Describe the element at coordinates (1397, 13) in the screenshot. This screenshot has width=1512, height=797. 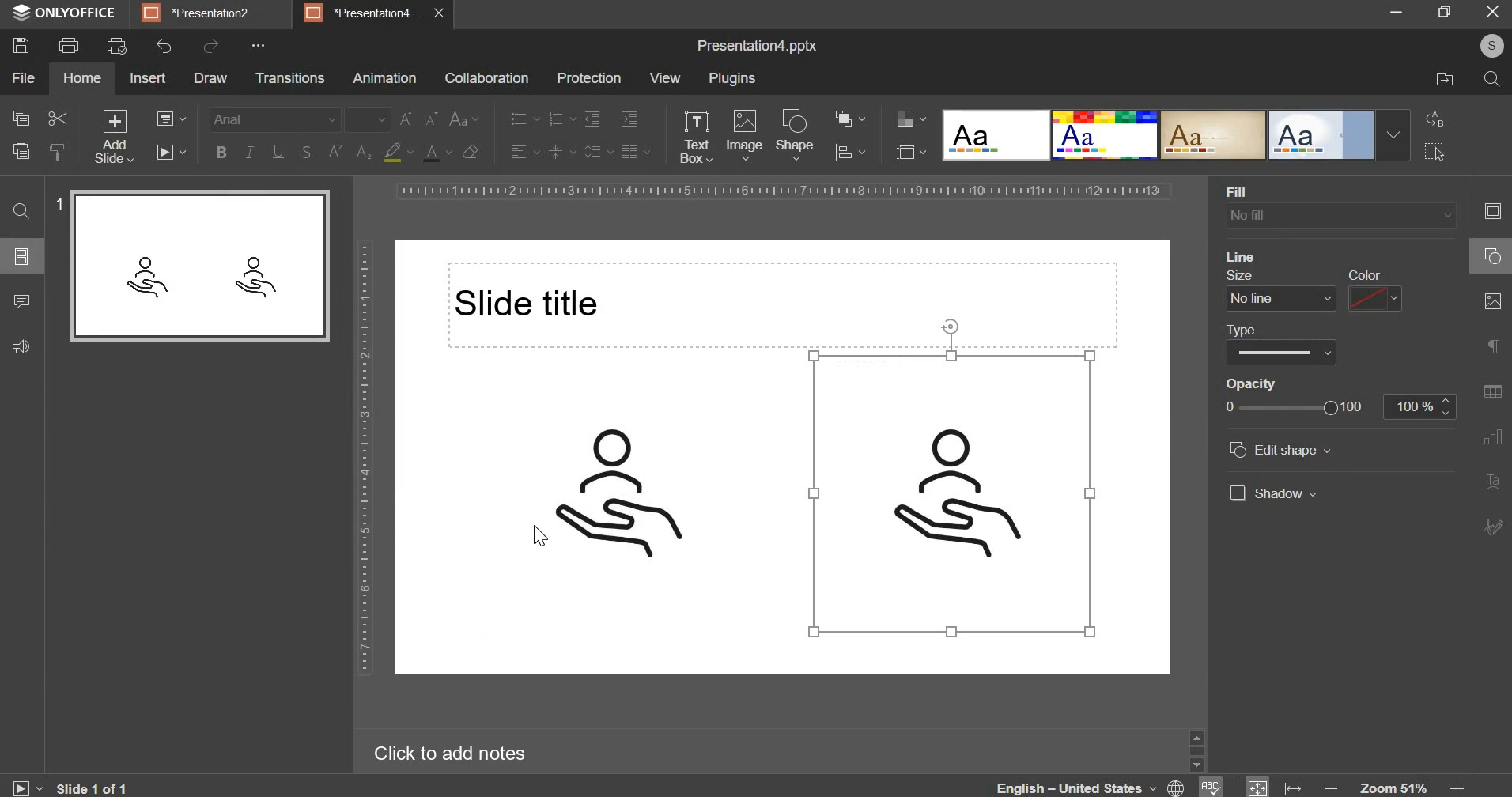
I see `minimize` at that location.